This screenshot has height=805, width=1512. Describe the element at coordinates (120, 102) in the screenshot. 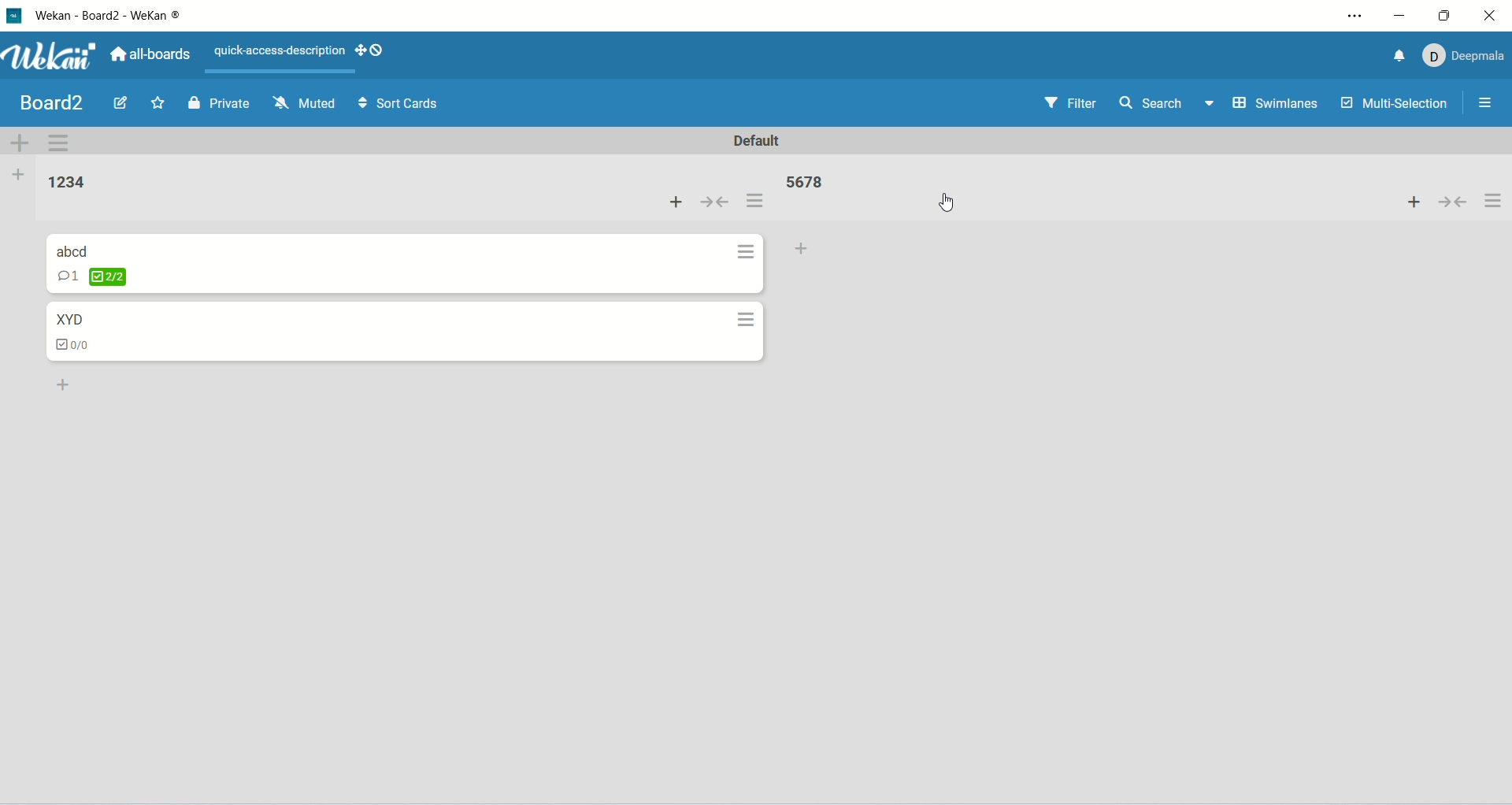

I see `edit` at that location.